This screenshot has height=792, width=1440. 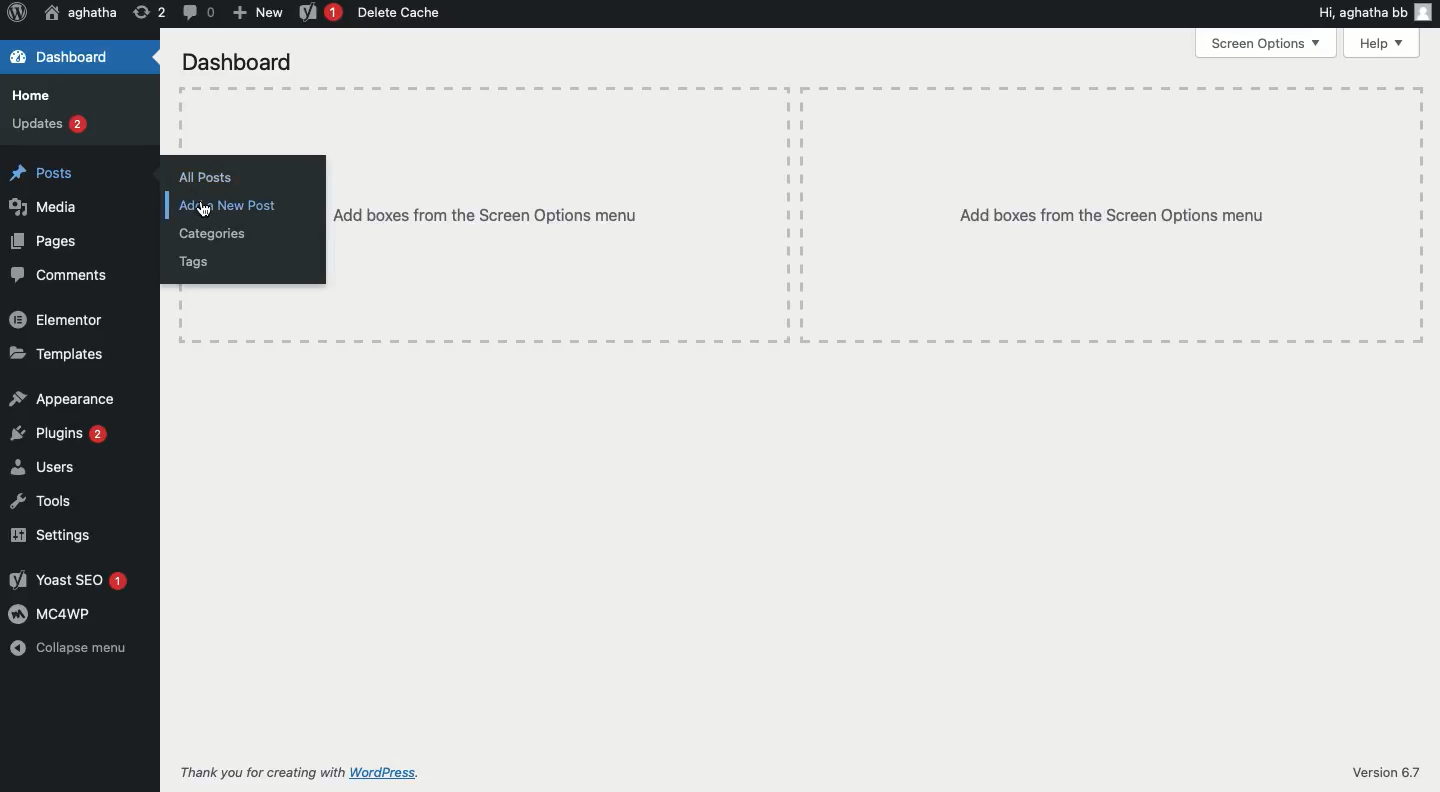 I want to click on Table line, so click(x=802, y=88).